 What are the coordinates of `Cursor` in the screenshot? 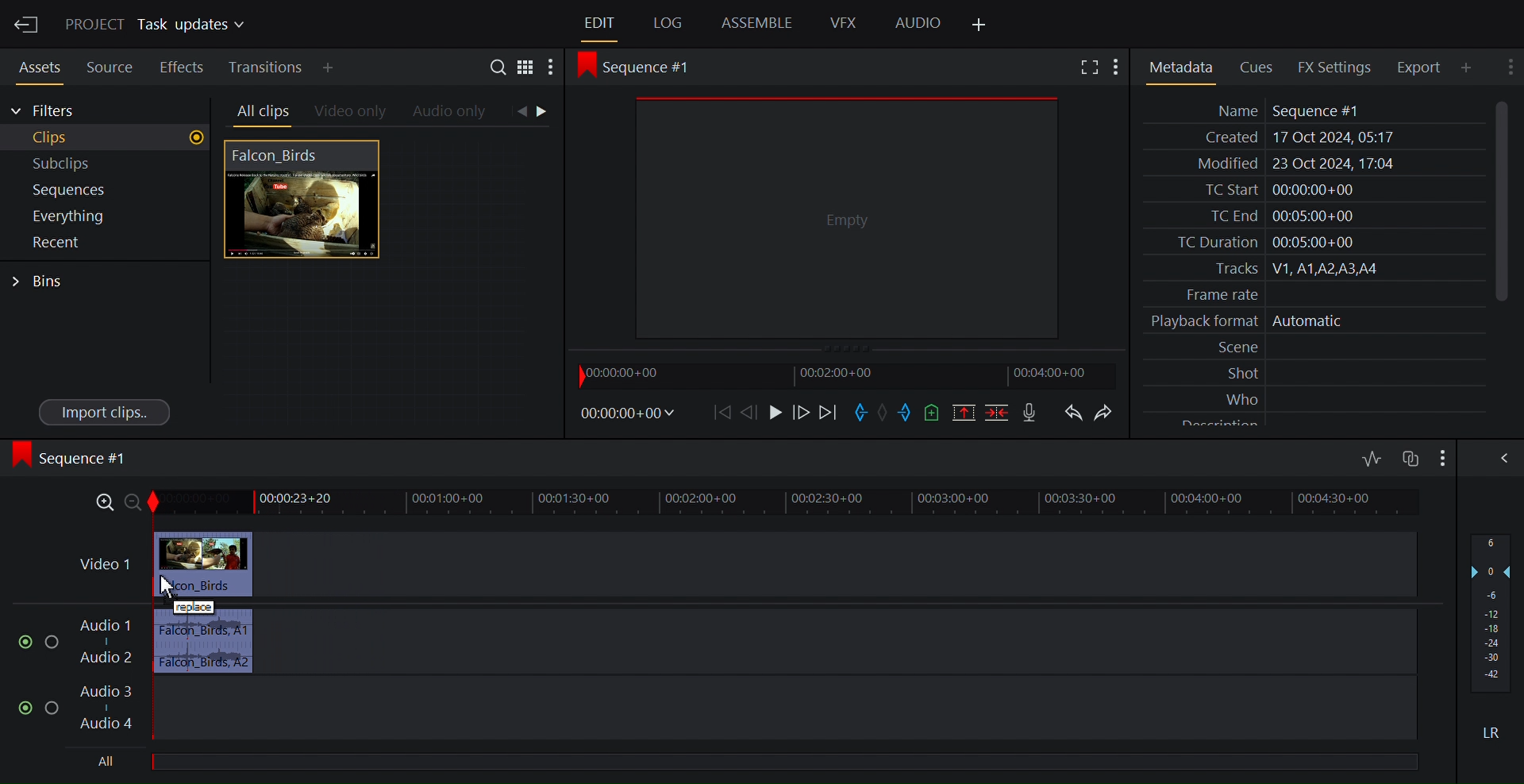 It's located at (166, 585).